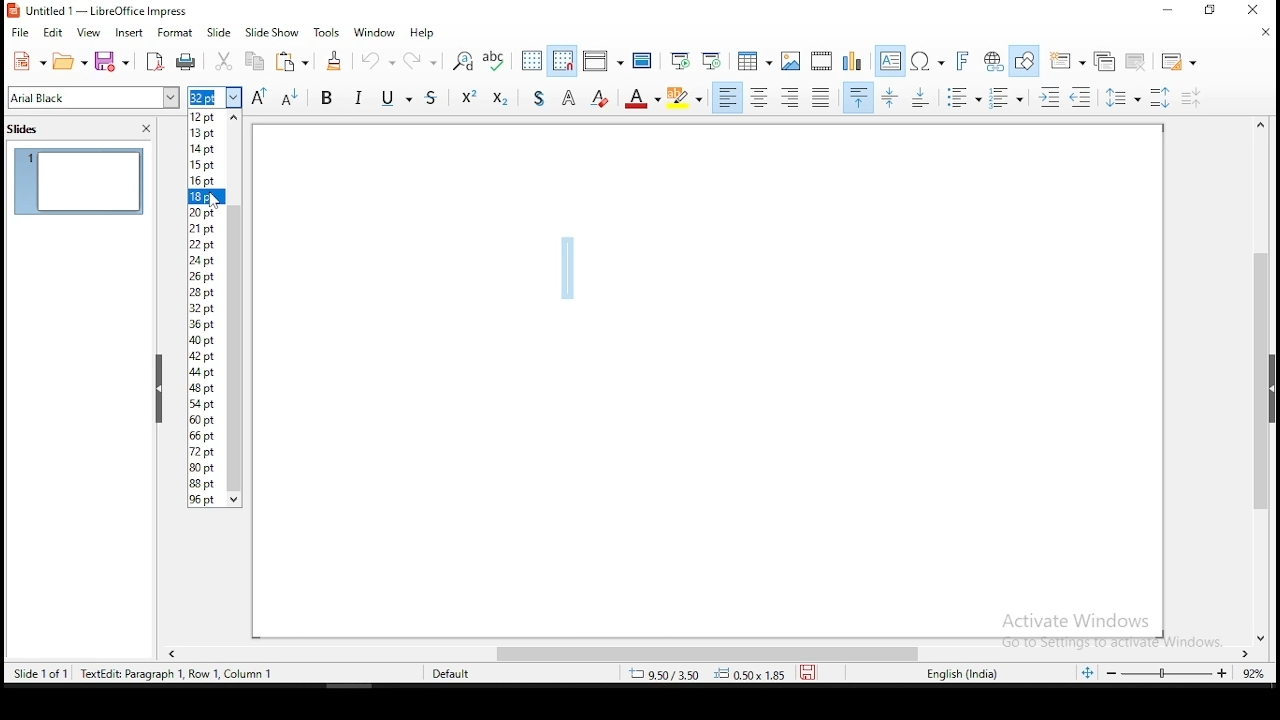 This screenshot has height=720, width=1280. Describe the element at coordinates (207, 196) in the screenshot. I see `18` at that location.